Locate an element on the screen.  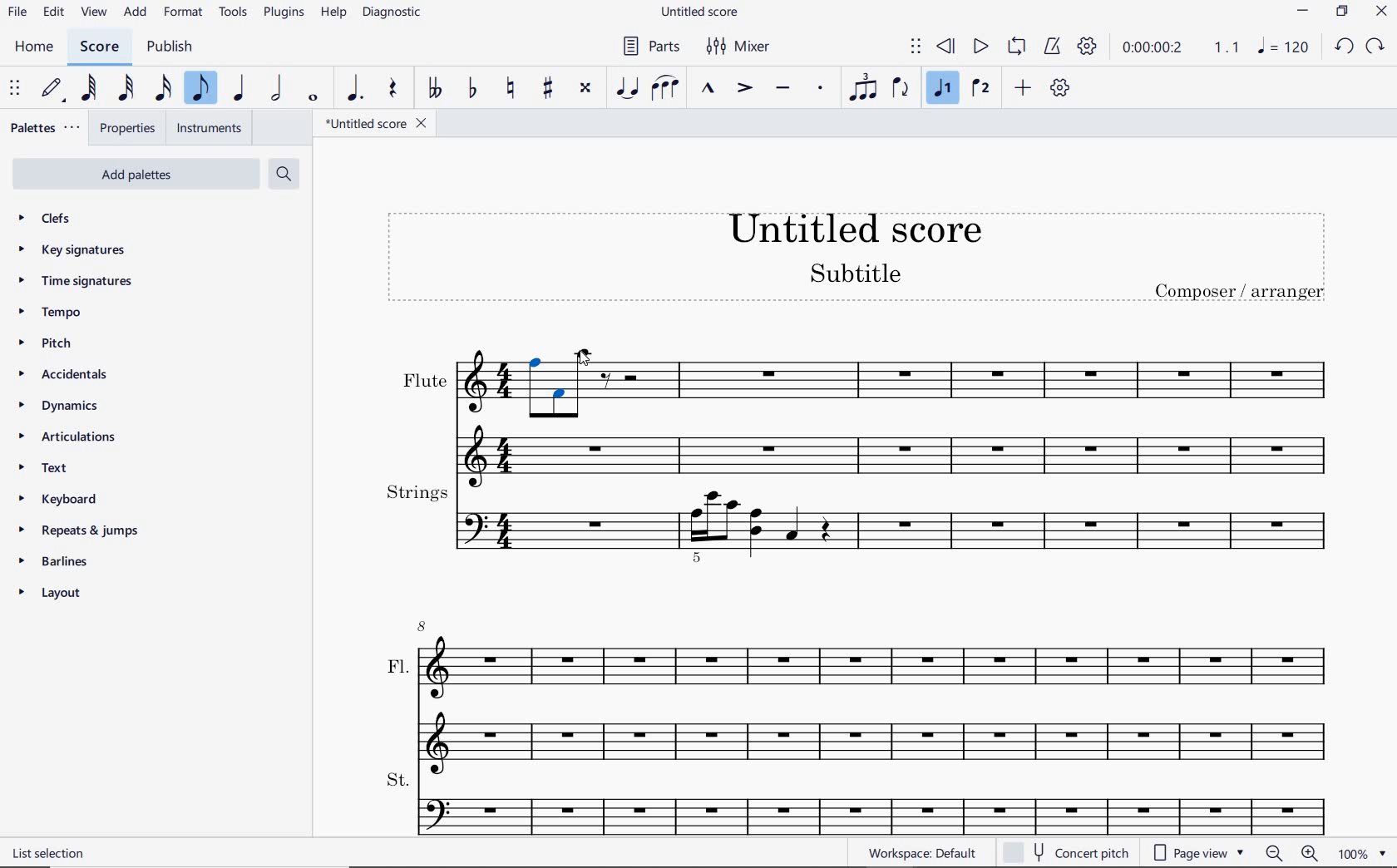
zoom factor is located at coordinates (1364, 853).